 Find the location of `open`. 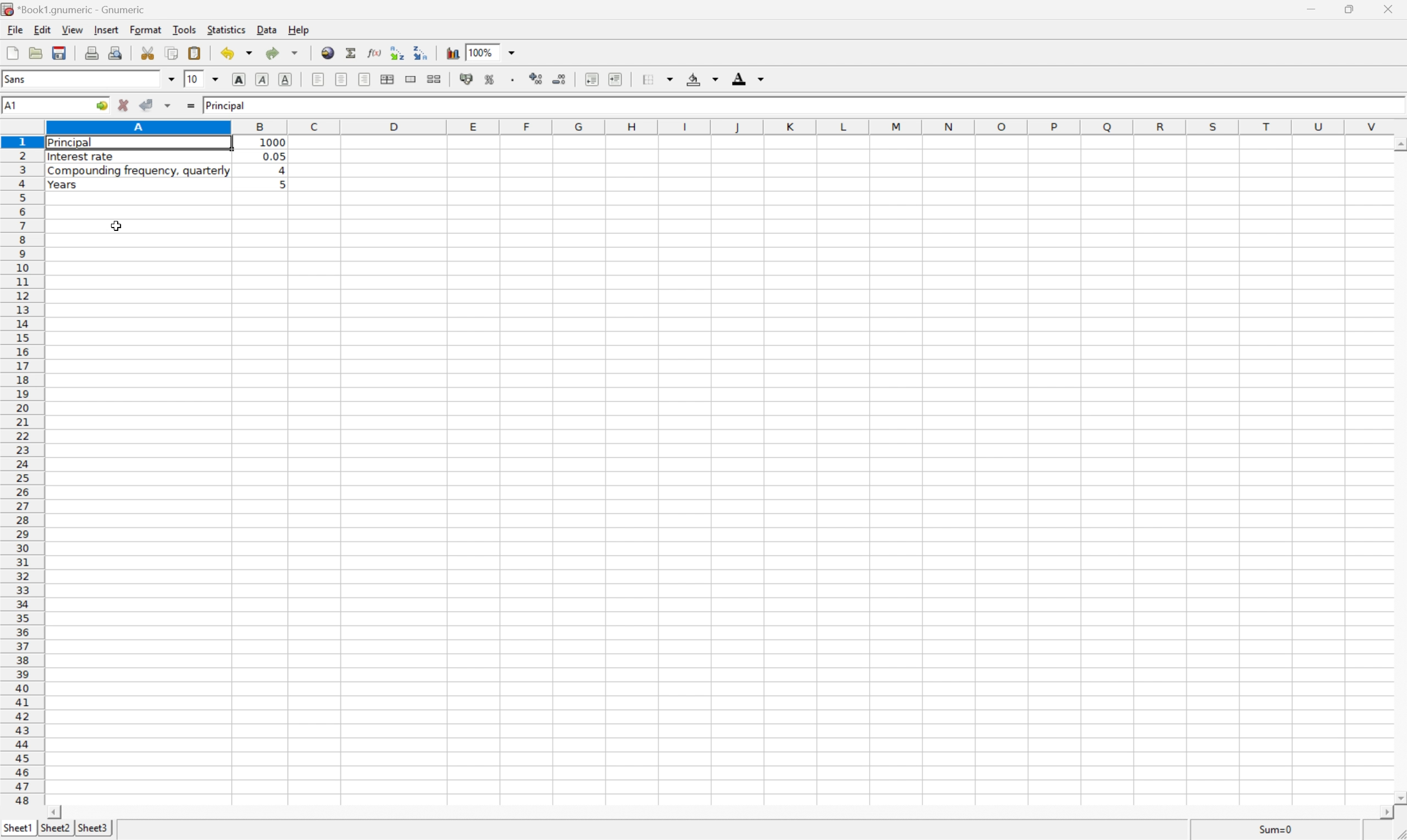

open is located at coordinates (35, 52).